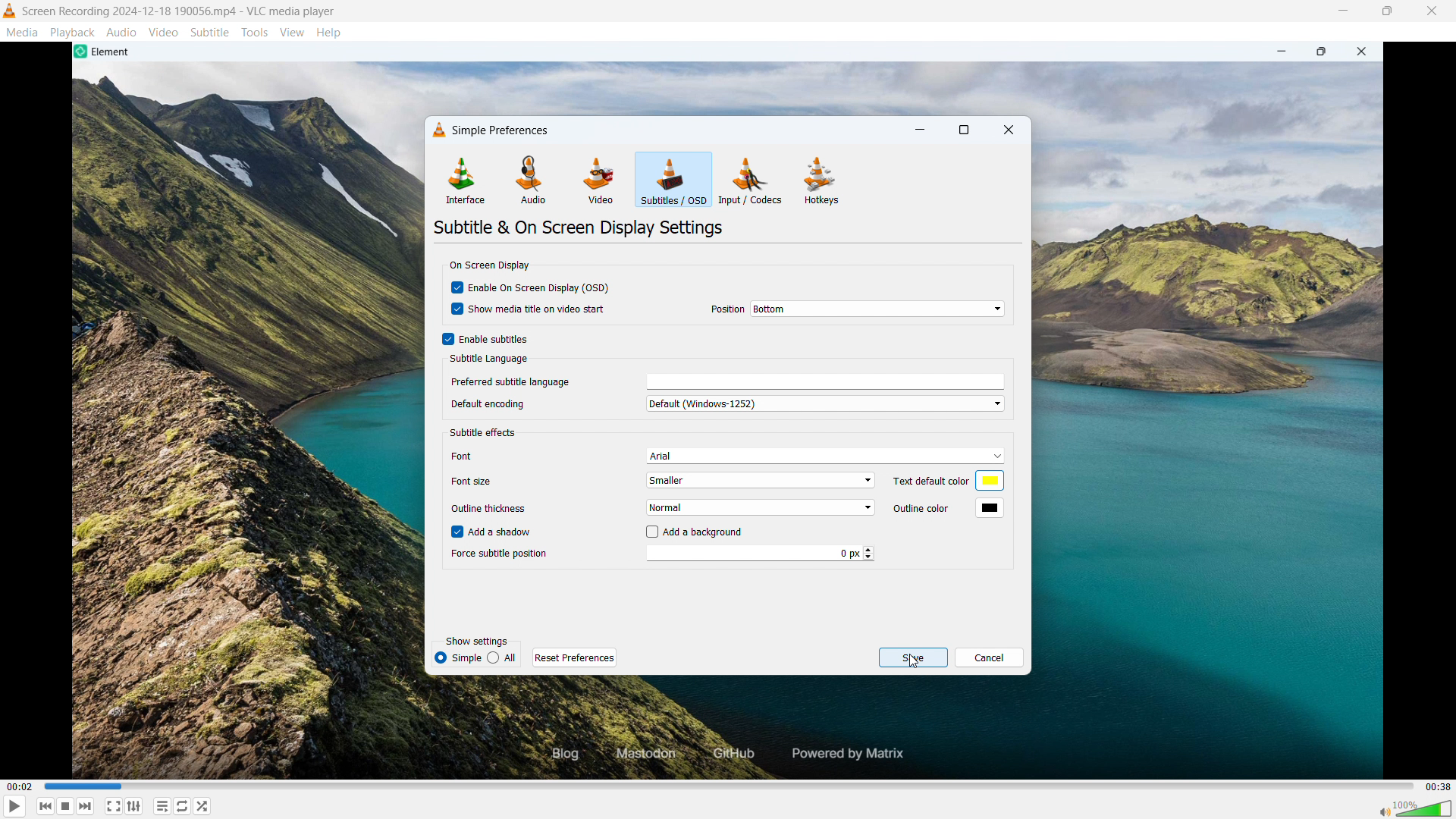 Image resolution: width=1456 pixels, height=819 pixels. What do you see at coordinates (912, 657) in the screenshot?
I see `save ` at bounding box center [912, 657].